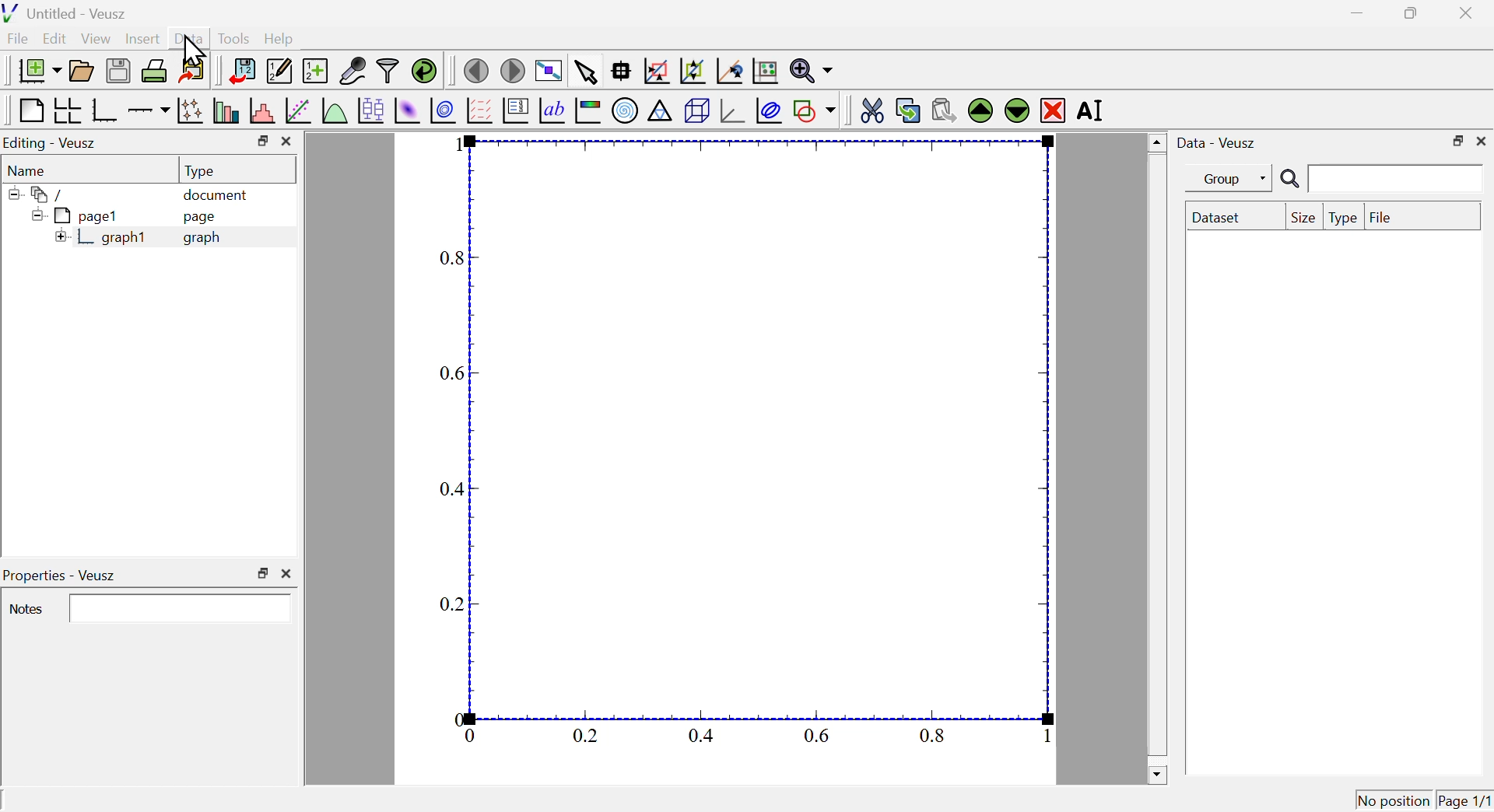 The width and height of the screenshot is (1494, 812). Describe the element at coordinates (585, 736) in the screenshot. I see `0.2` at that location.